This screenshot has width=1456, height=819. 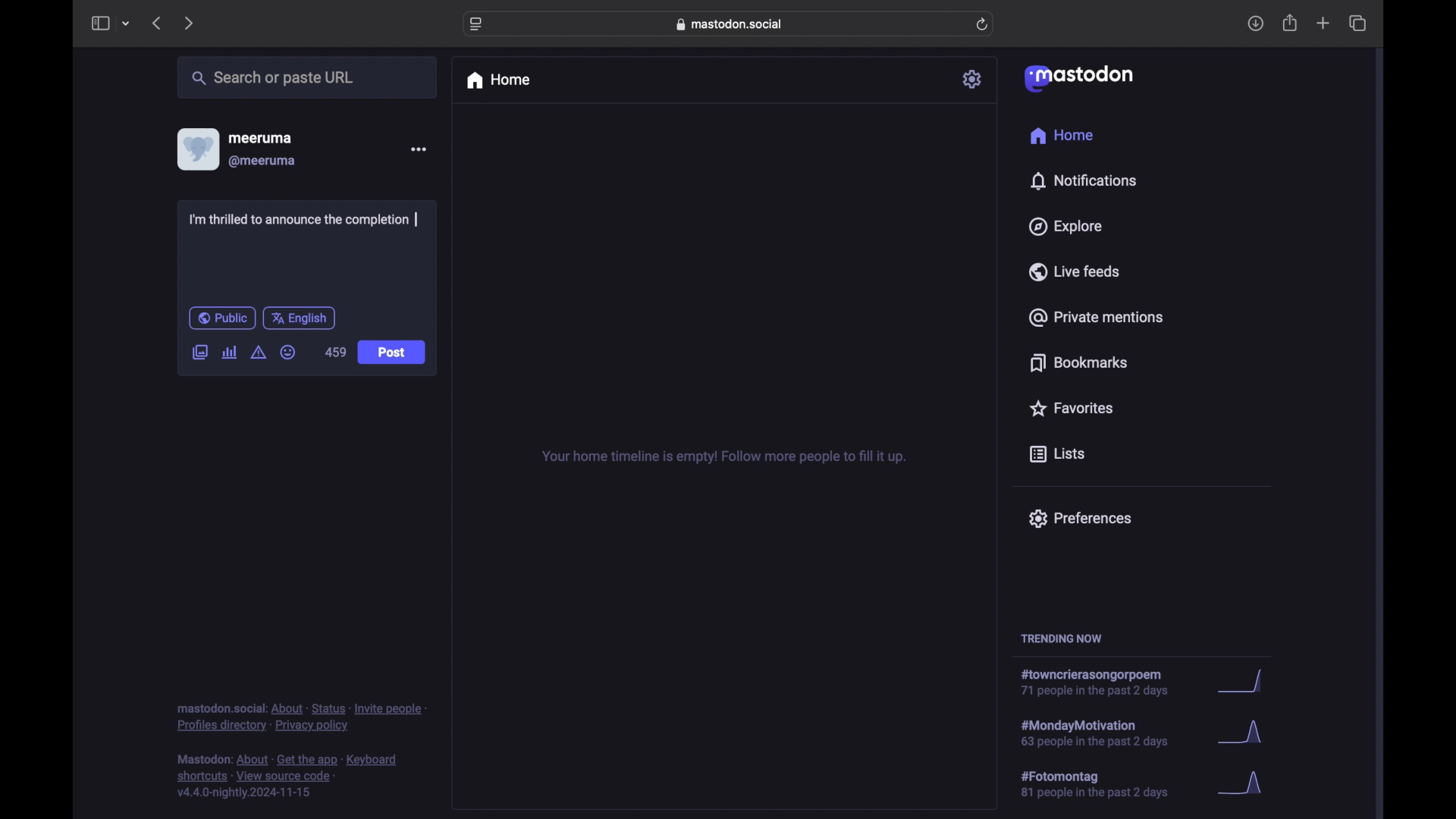 I want to click on private mentions, so click(x=1095, y=317).